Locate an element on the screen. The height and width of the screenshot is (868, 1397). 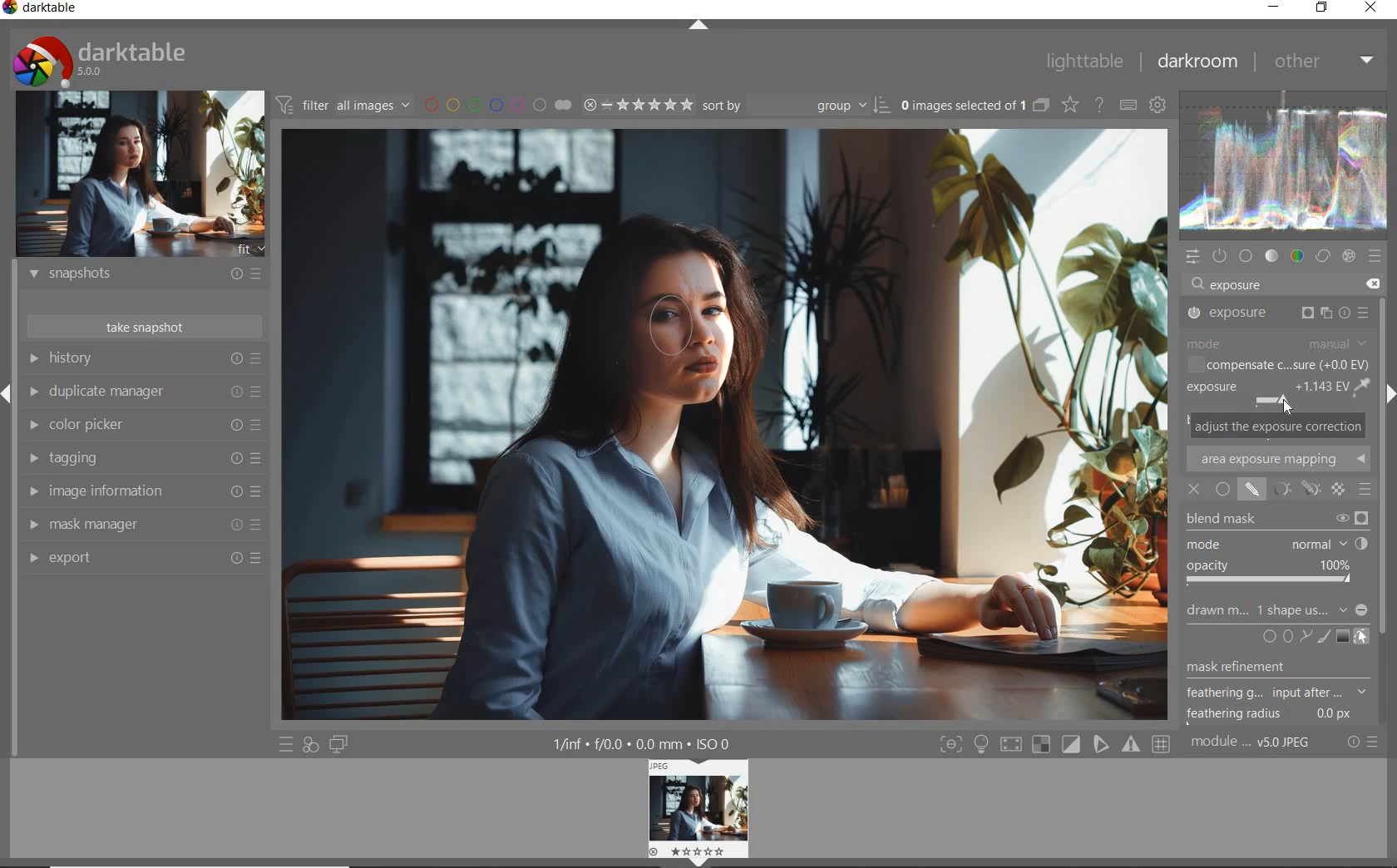
expand grouped images is located at coordinates (976, 107).